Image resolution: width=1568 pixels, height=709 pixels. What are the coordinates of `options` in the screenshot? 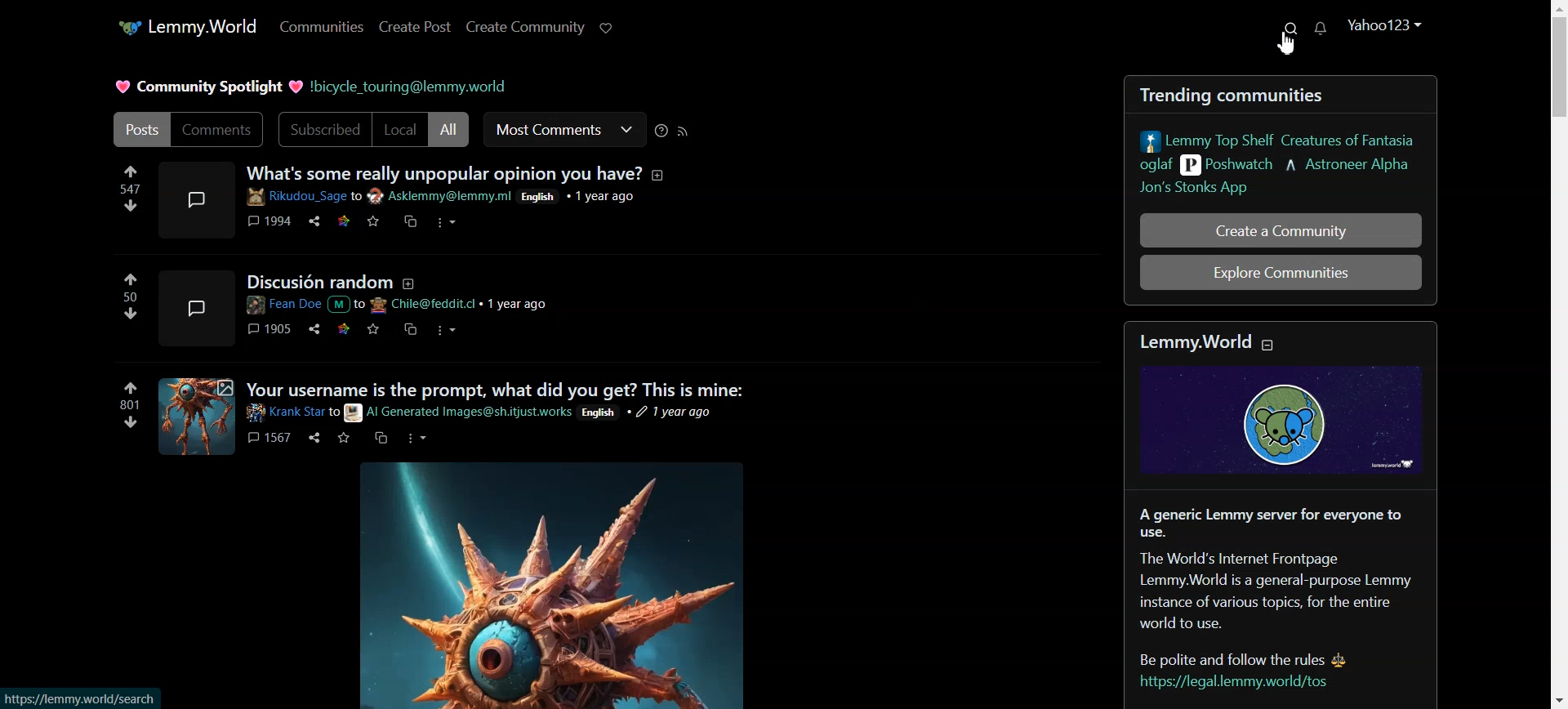 It's located at (414, 439).